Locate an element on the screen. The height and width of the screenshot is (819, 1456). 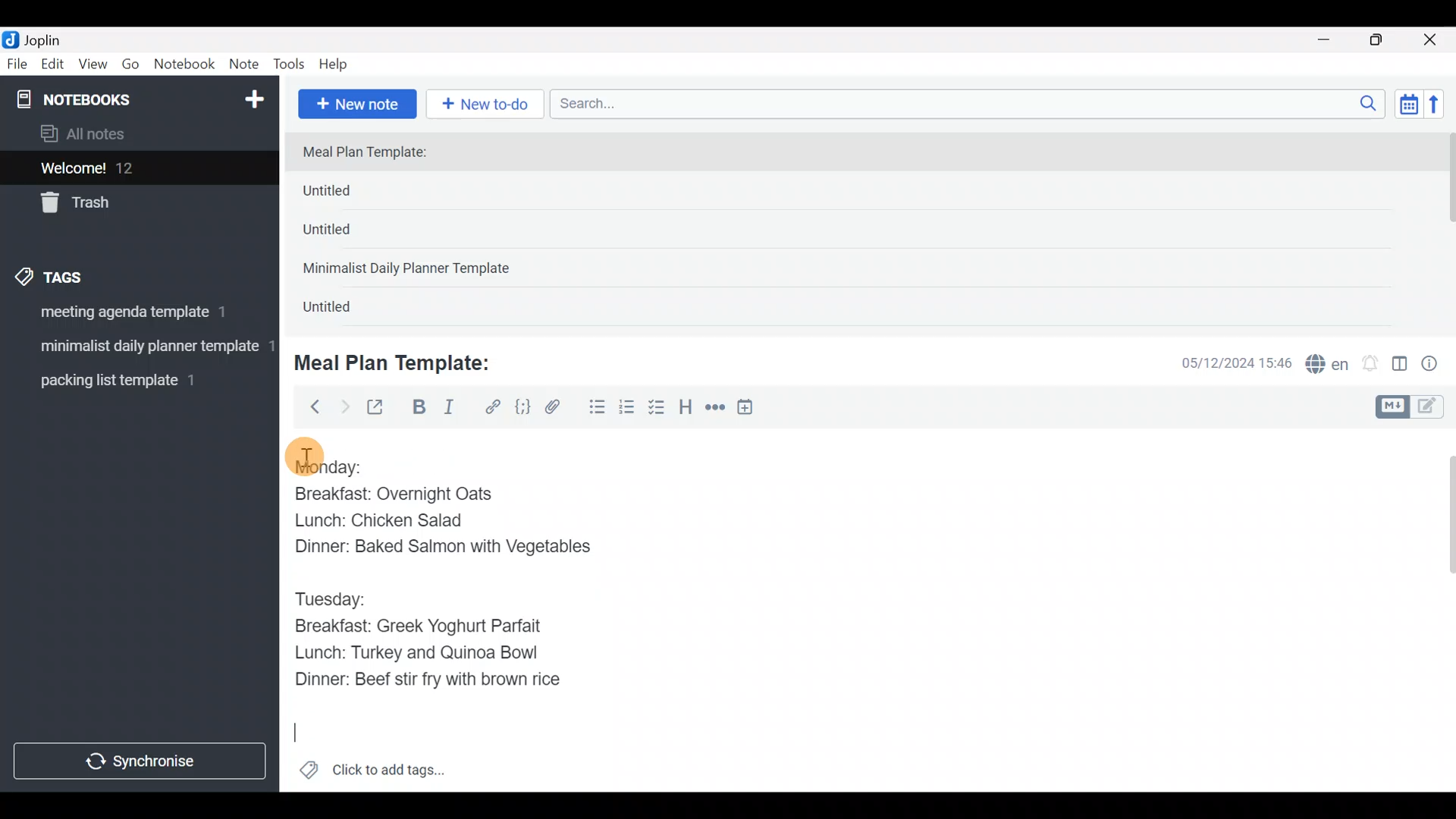
Synchronize is located at coordinates (142, 761).